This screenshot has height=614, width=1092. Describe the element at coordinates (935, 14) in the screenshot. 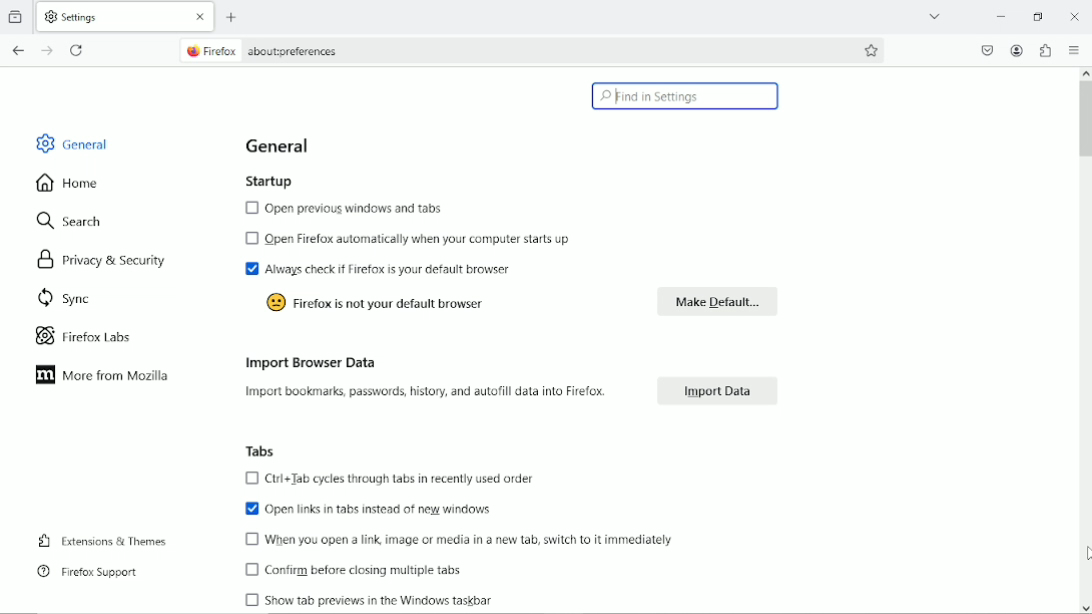

I see `list all tabs` at that location.